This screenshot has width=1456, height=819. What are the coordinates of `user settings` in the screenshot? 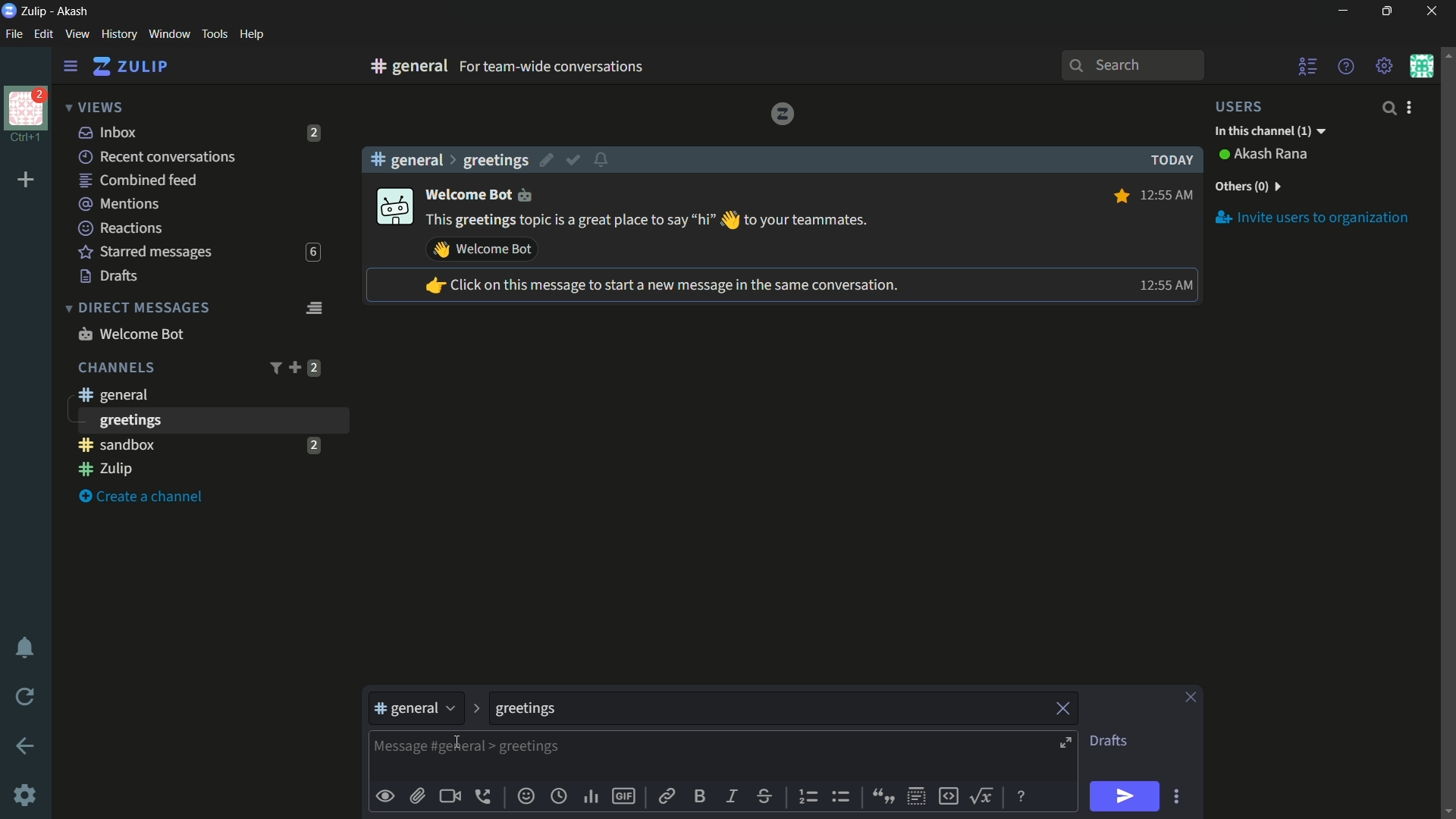 It's located at (1412, 107).